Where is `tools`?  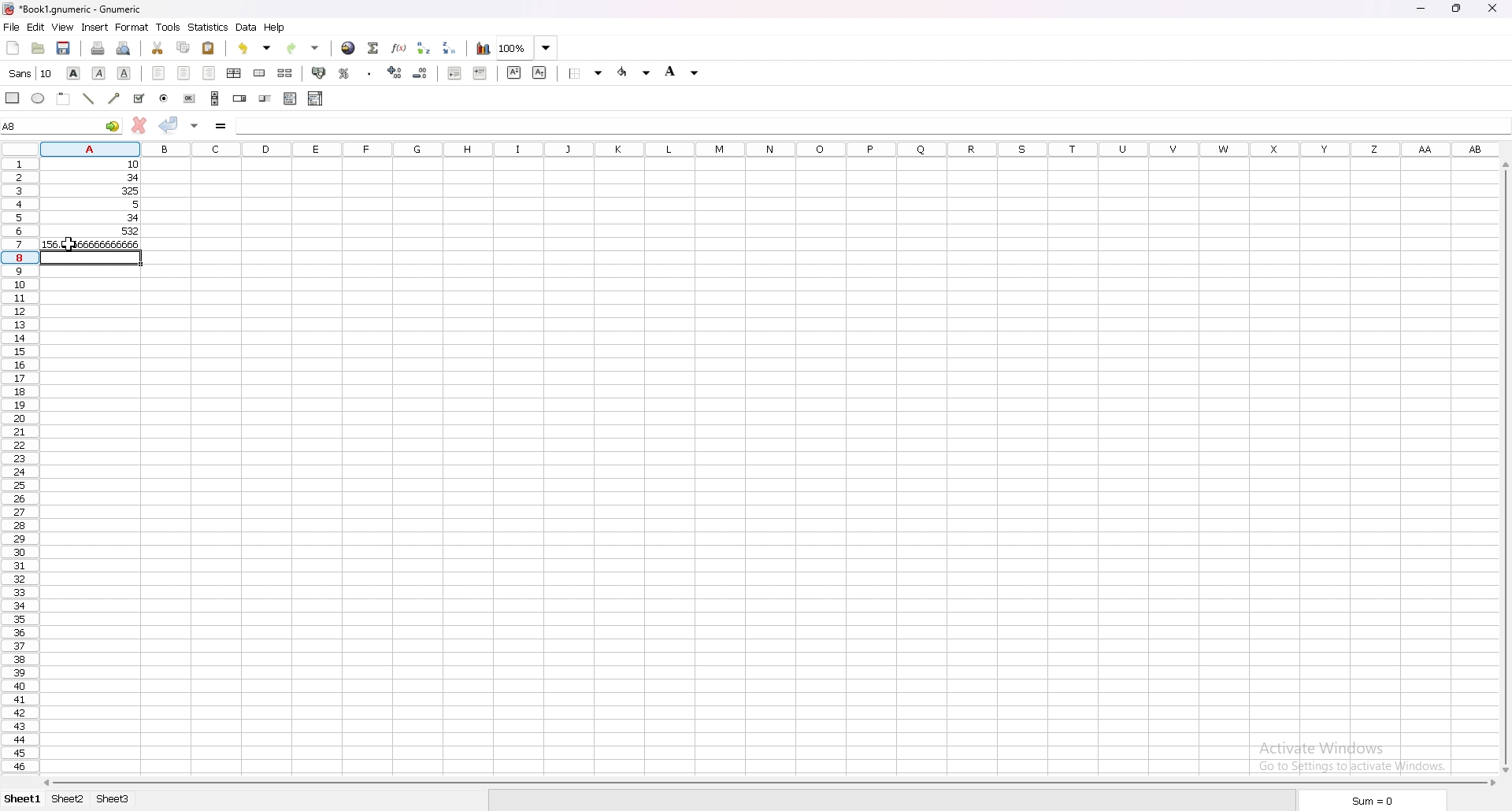 tools is located at coordinates (169, 28).